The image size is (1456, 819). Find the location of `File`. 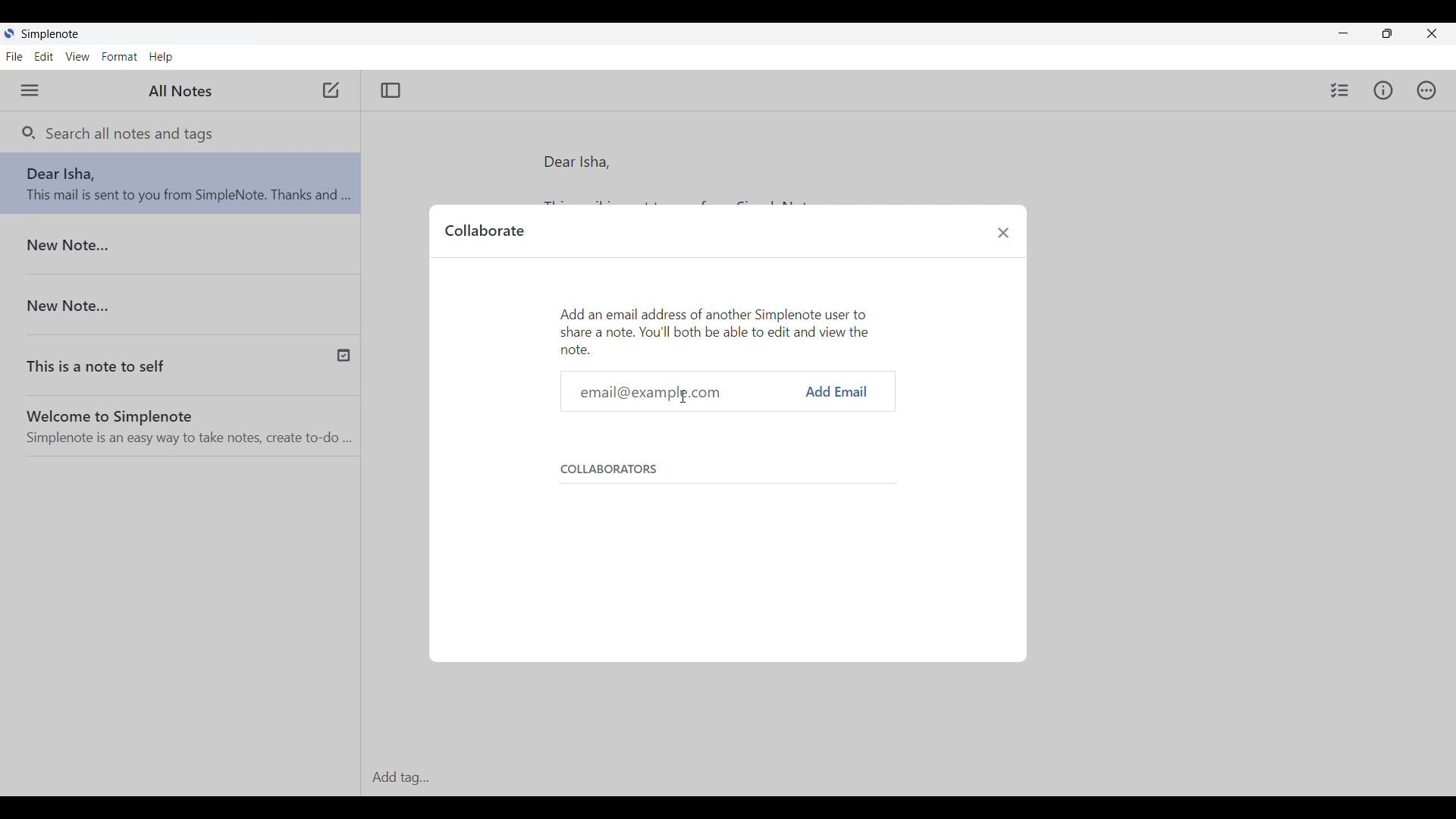

File is located at coordinates (14, 56).